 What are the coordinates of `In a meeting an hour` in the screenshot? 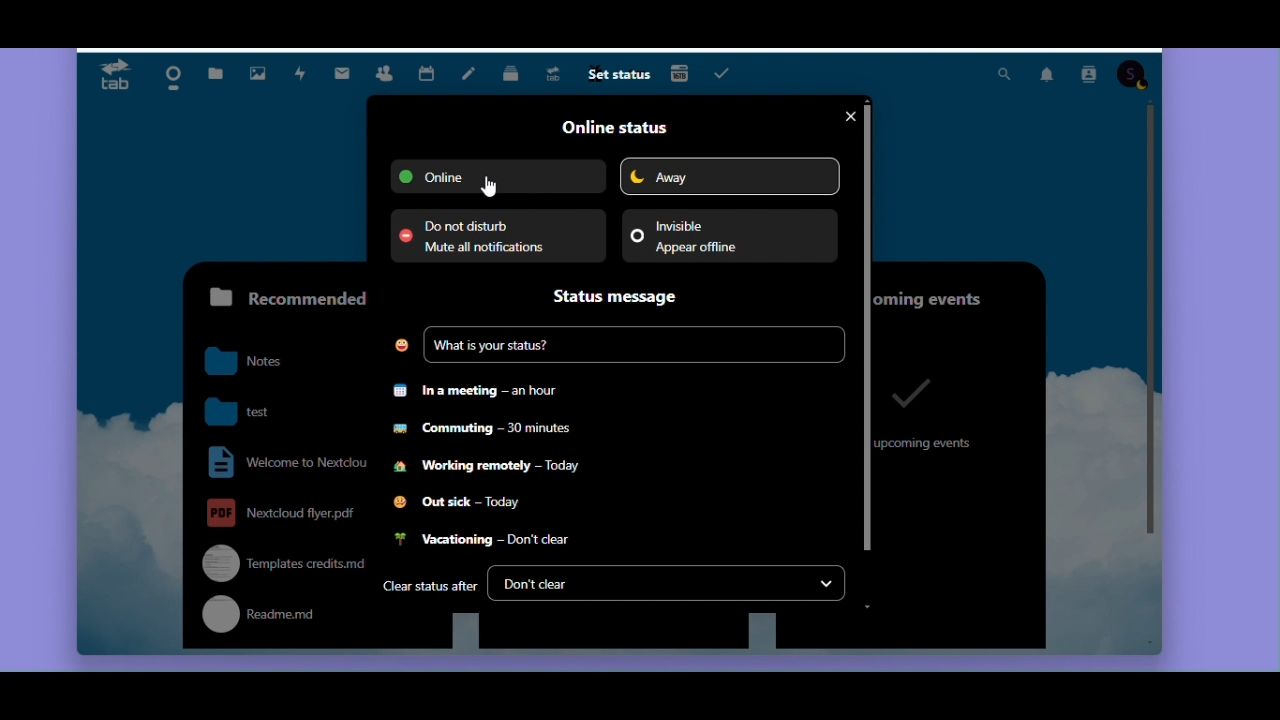 It's located at (479, 391).